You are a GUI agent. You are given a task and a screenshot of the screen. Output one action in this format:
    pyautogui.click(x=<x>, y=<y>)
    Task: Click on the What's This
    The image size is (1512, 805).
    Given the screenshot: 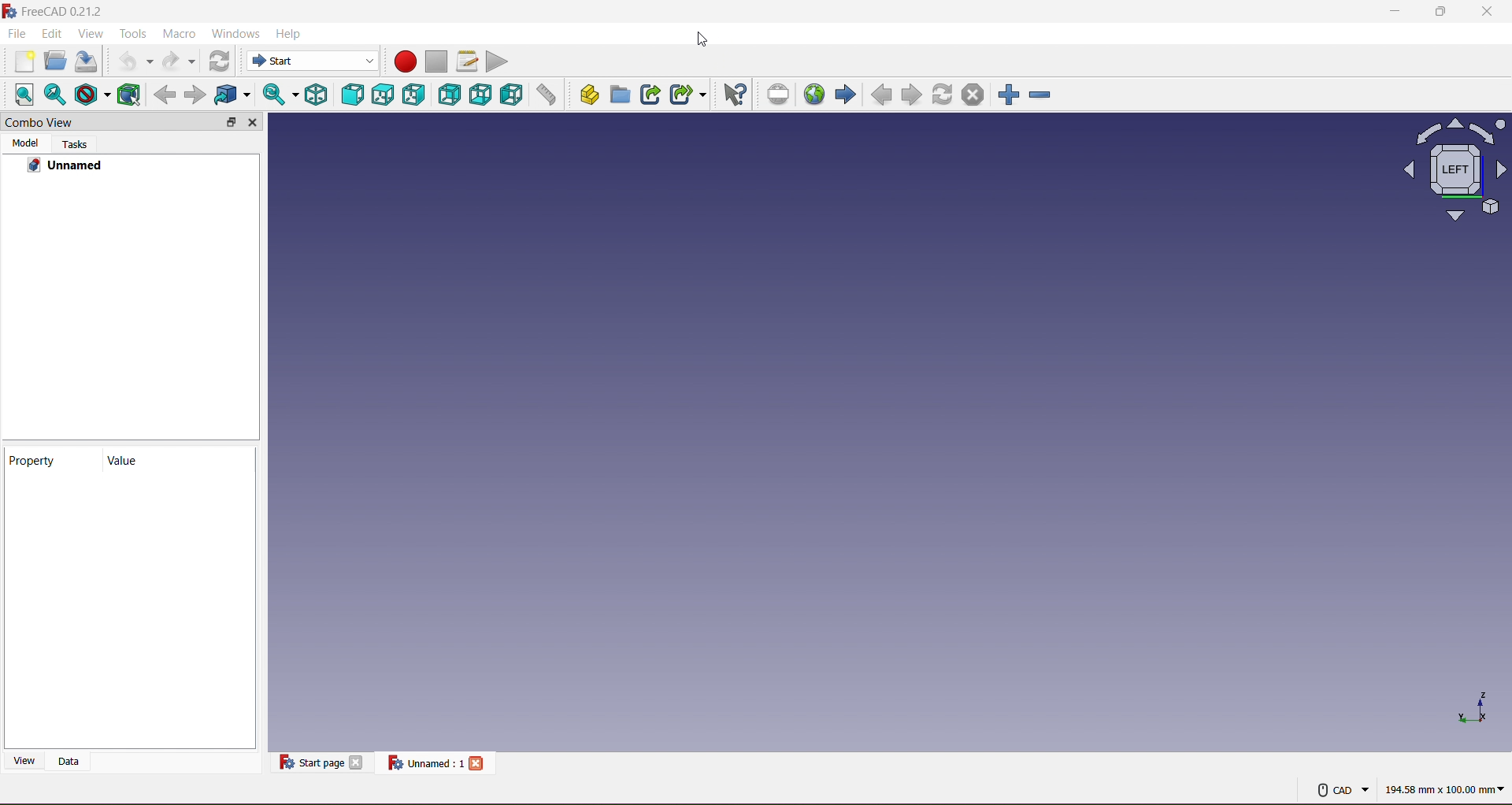 What is the action you would take?
    pyautogui.click(x=734, y=95)
    